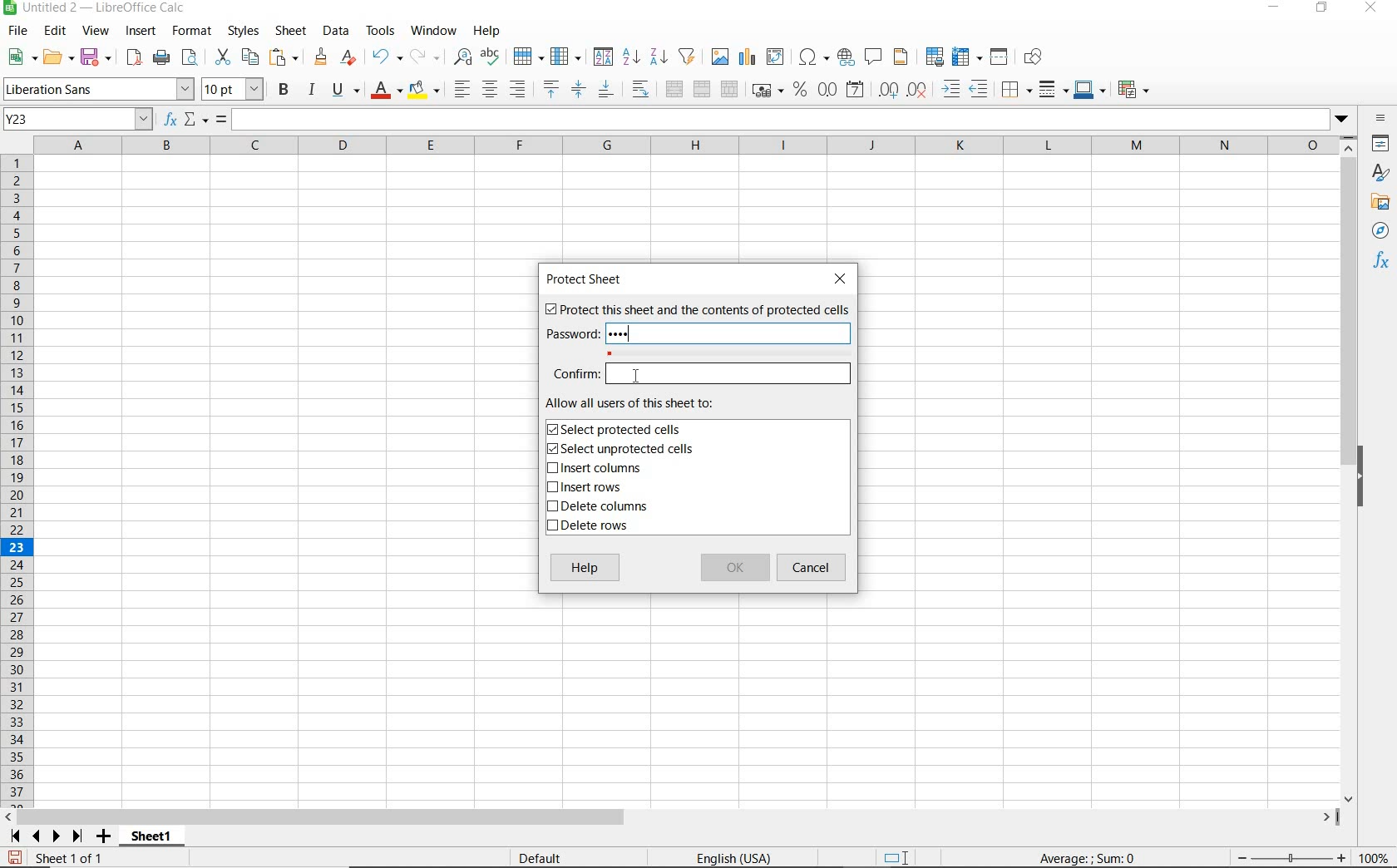  Describe the element at coordinates (828, 89) in the screenshot. I see `FORMAT AS NUMBER` at that location.